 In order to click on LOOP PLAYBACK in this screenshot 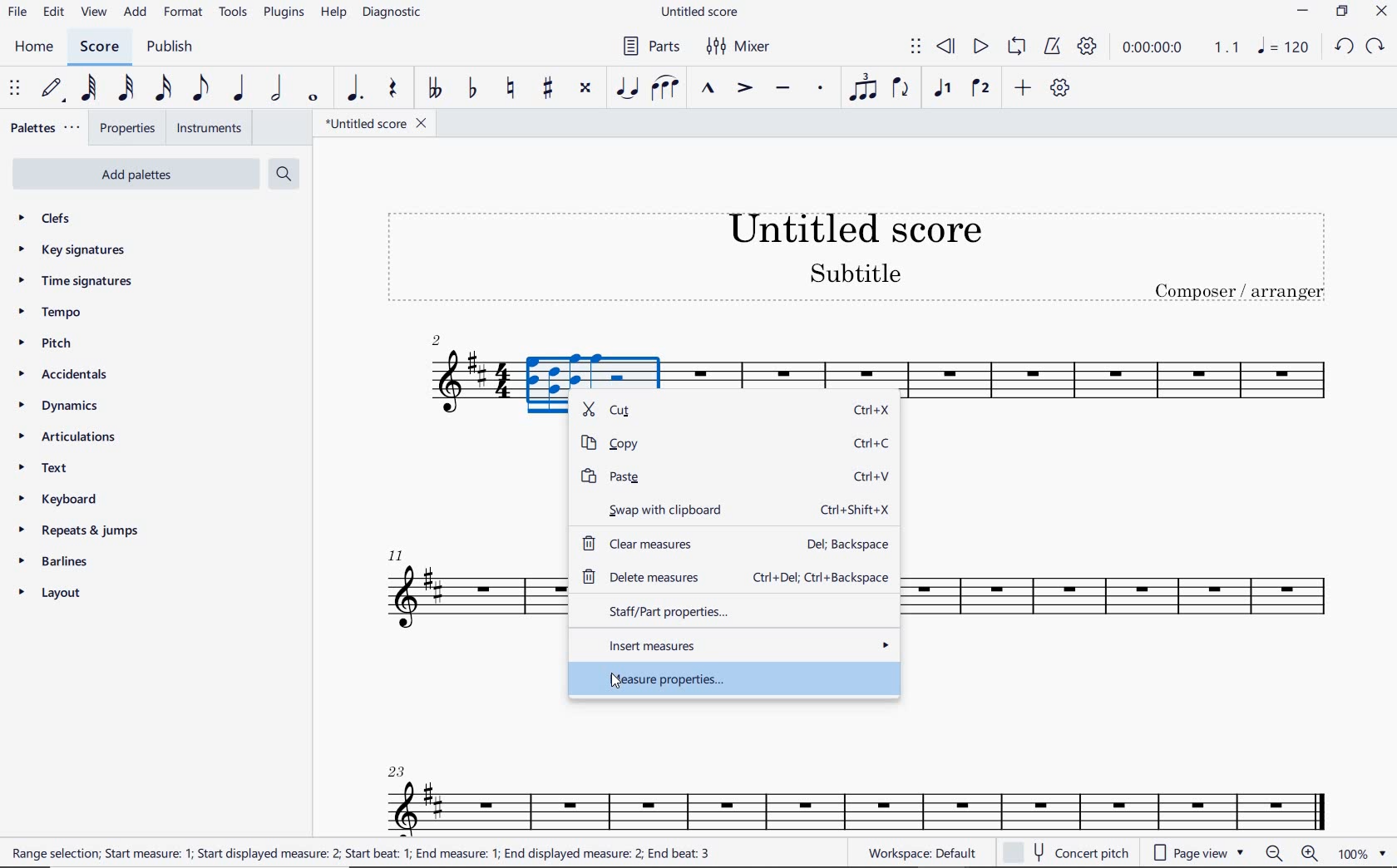, I will do `click(1016, 48)`.